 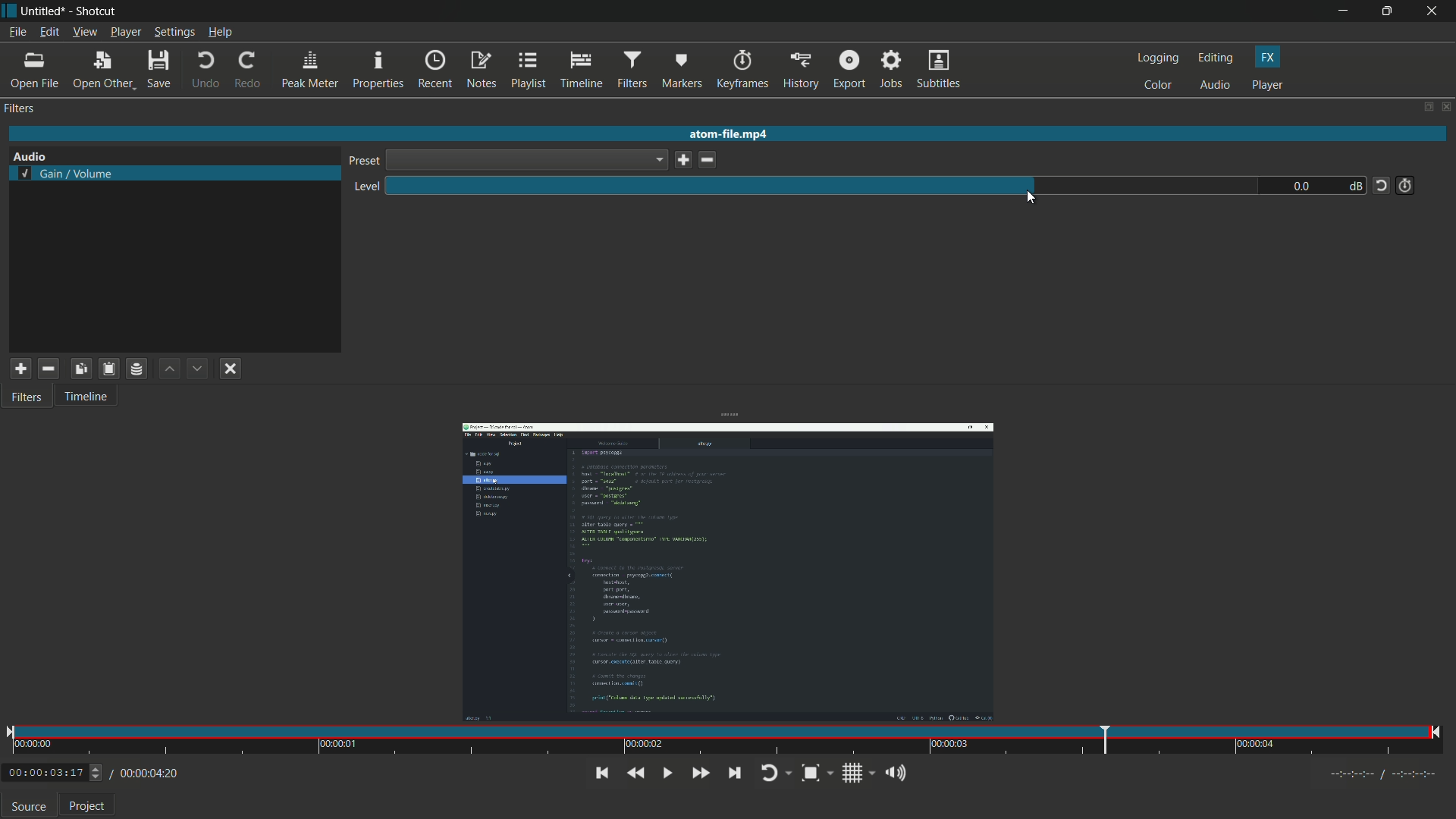 What do you see at coordinates (601, 773) in the screenshot?
I see `skip to the previous point` at bounding box center [601, 773].